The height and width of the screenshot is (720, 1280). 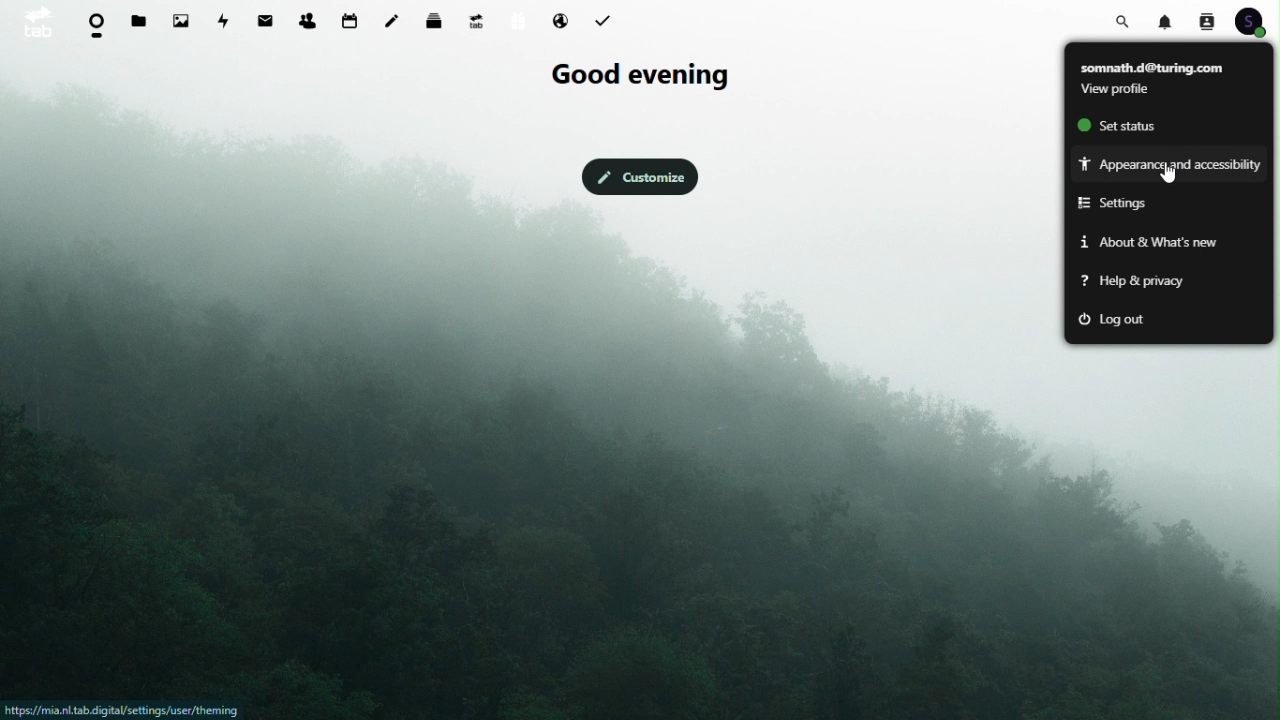 I want to click on Activity, so click(x=226, y=19).